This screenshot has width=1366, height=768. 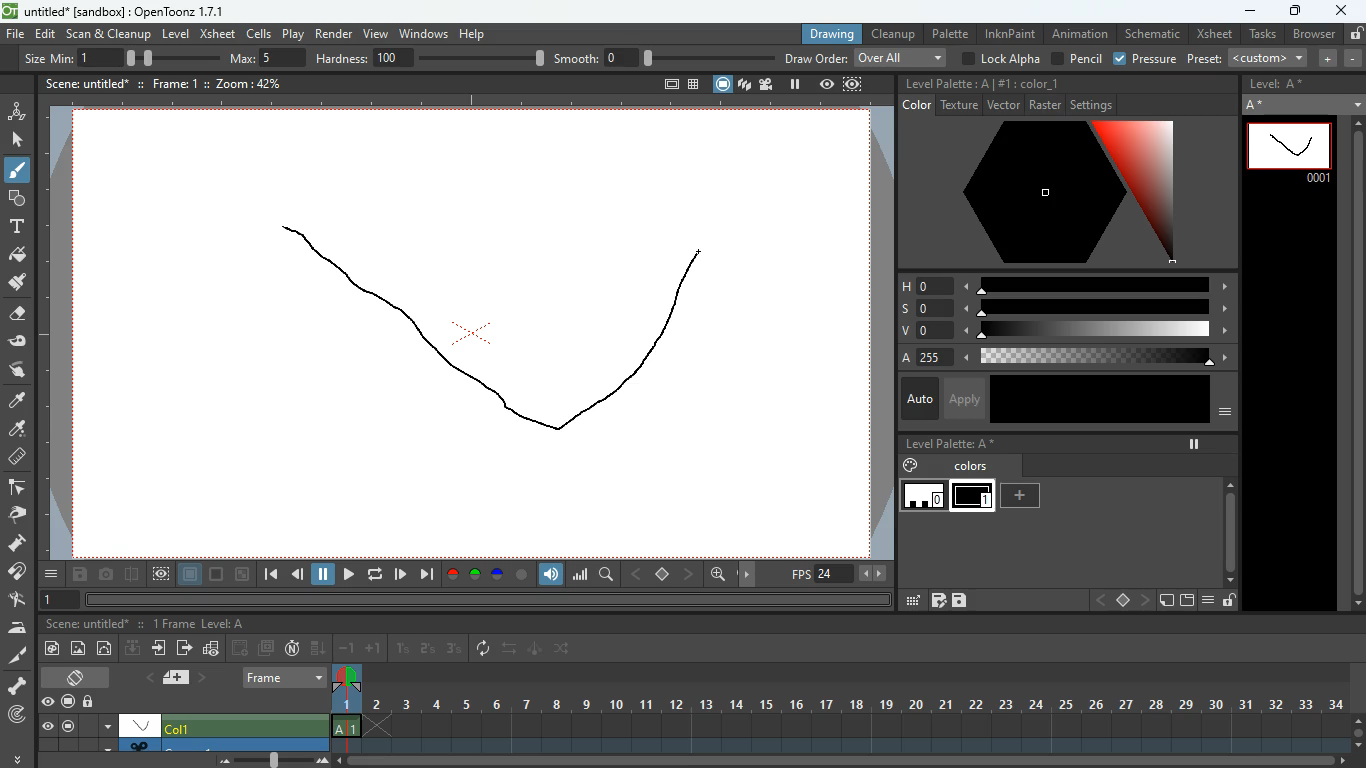 What do you see at coordinates (453, 649) in the screenshot?
I see `3` at bounding box center [453, 649].